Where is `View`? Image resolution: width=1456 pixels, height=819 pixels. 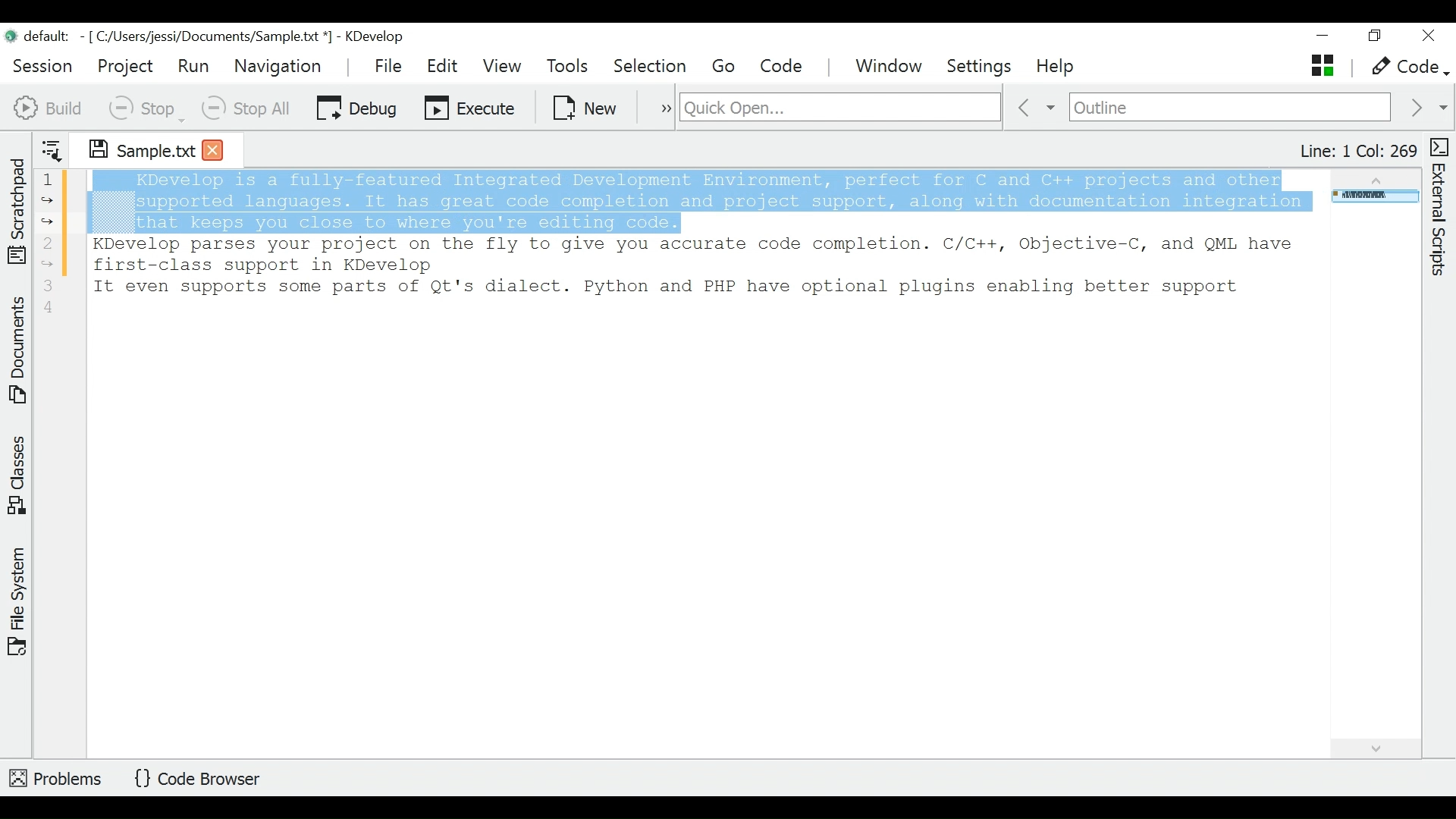
View is located at coordinates (502, 66).